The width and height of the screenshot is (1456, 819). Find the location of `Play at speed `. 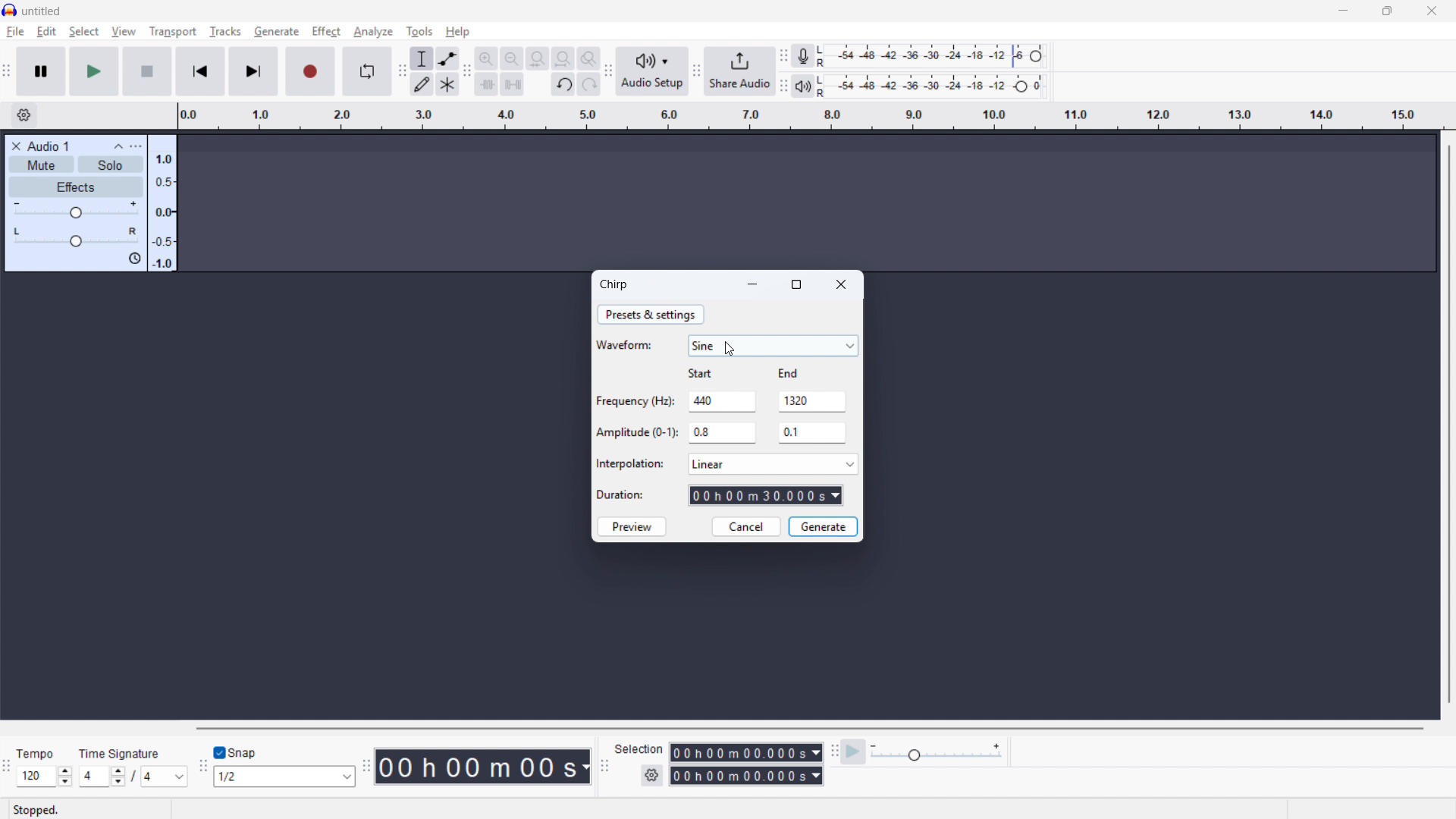

Play at speed  is located at coordinates (854, 751).